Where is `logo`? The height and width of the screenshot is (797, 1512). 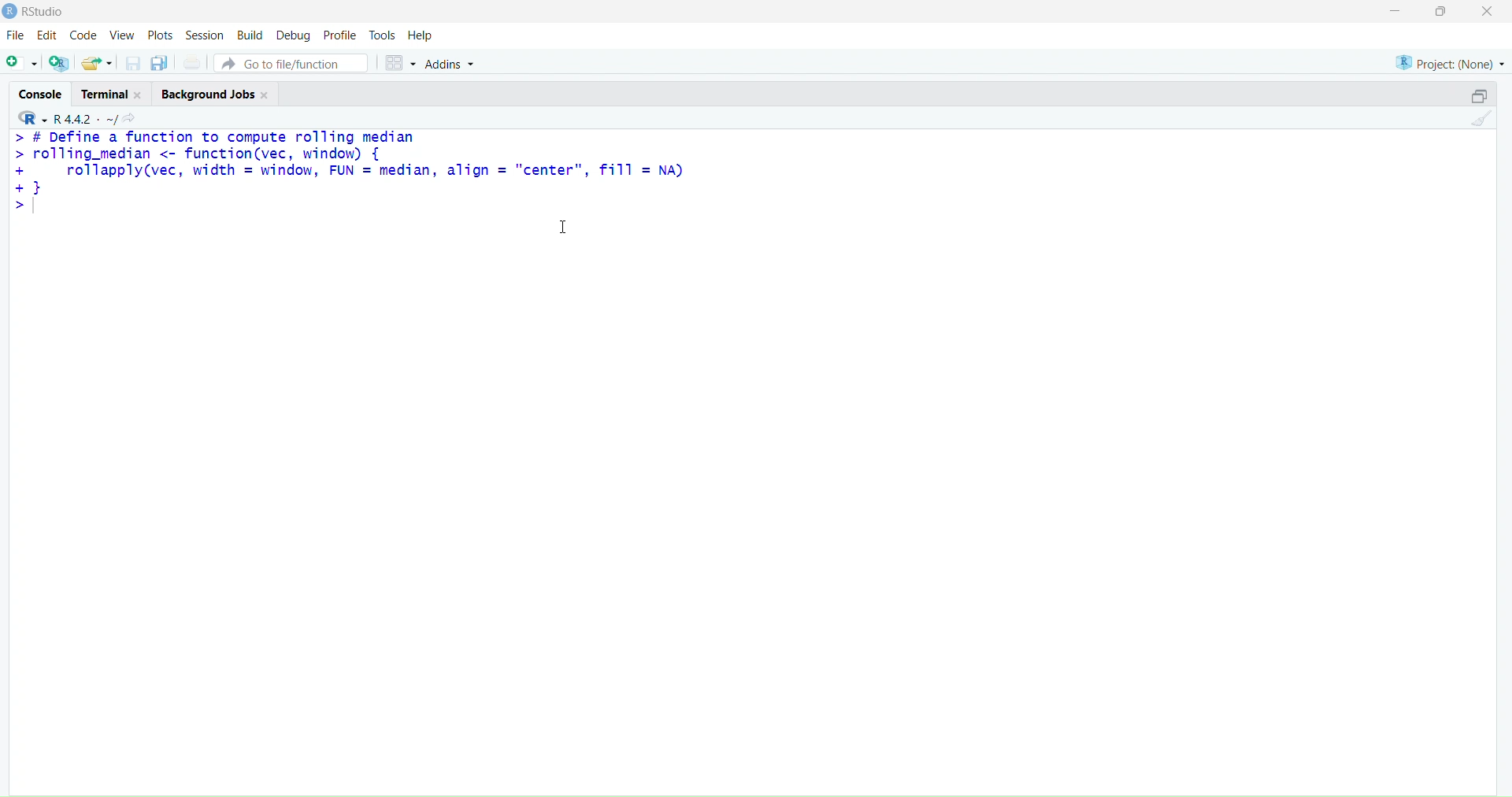 logo is located at coordinates (11, 11).